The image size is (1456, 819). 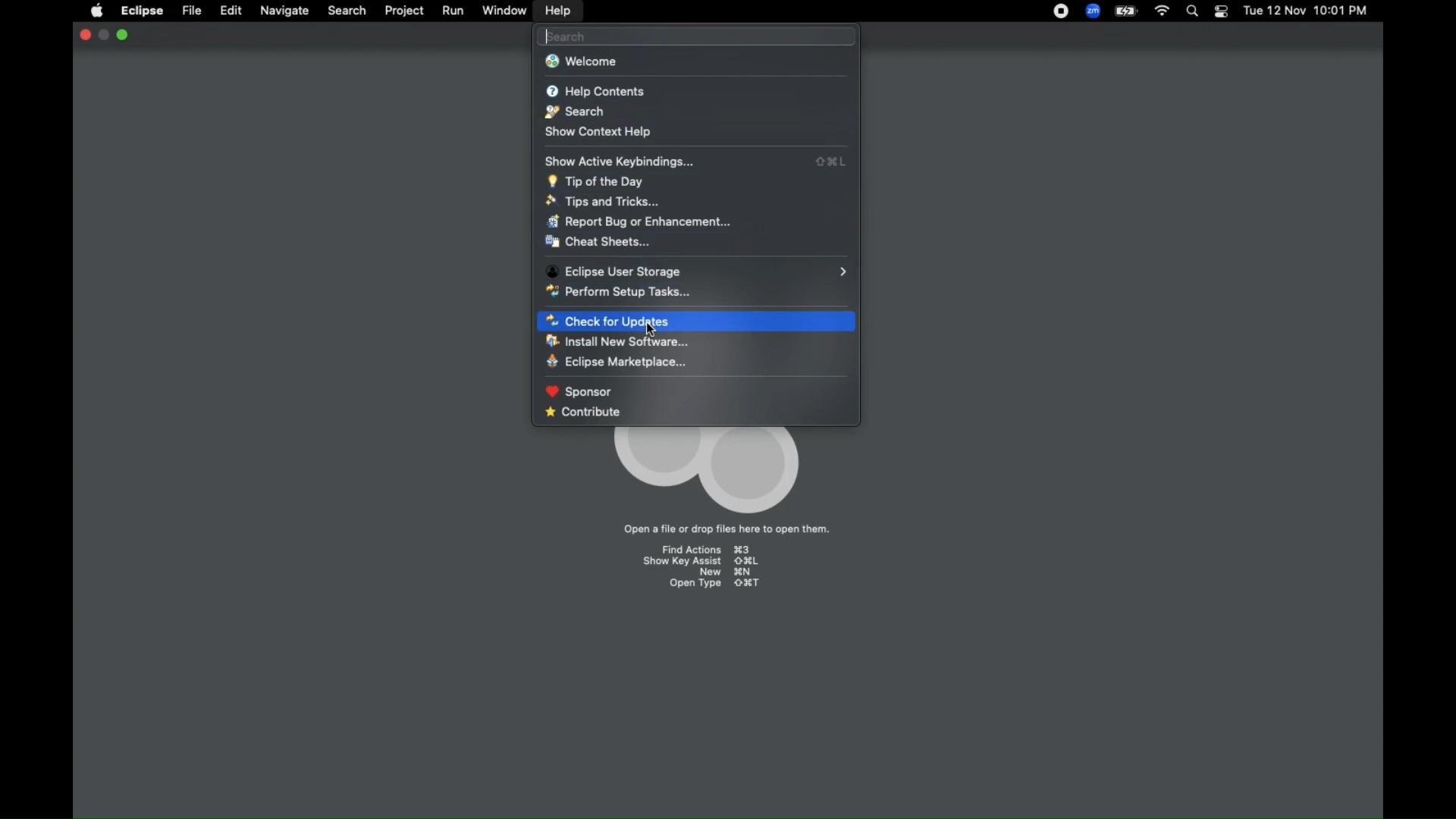 I want to click on abstract, so click(x=705, y=469).